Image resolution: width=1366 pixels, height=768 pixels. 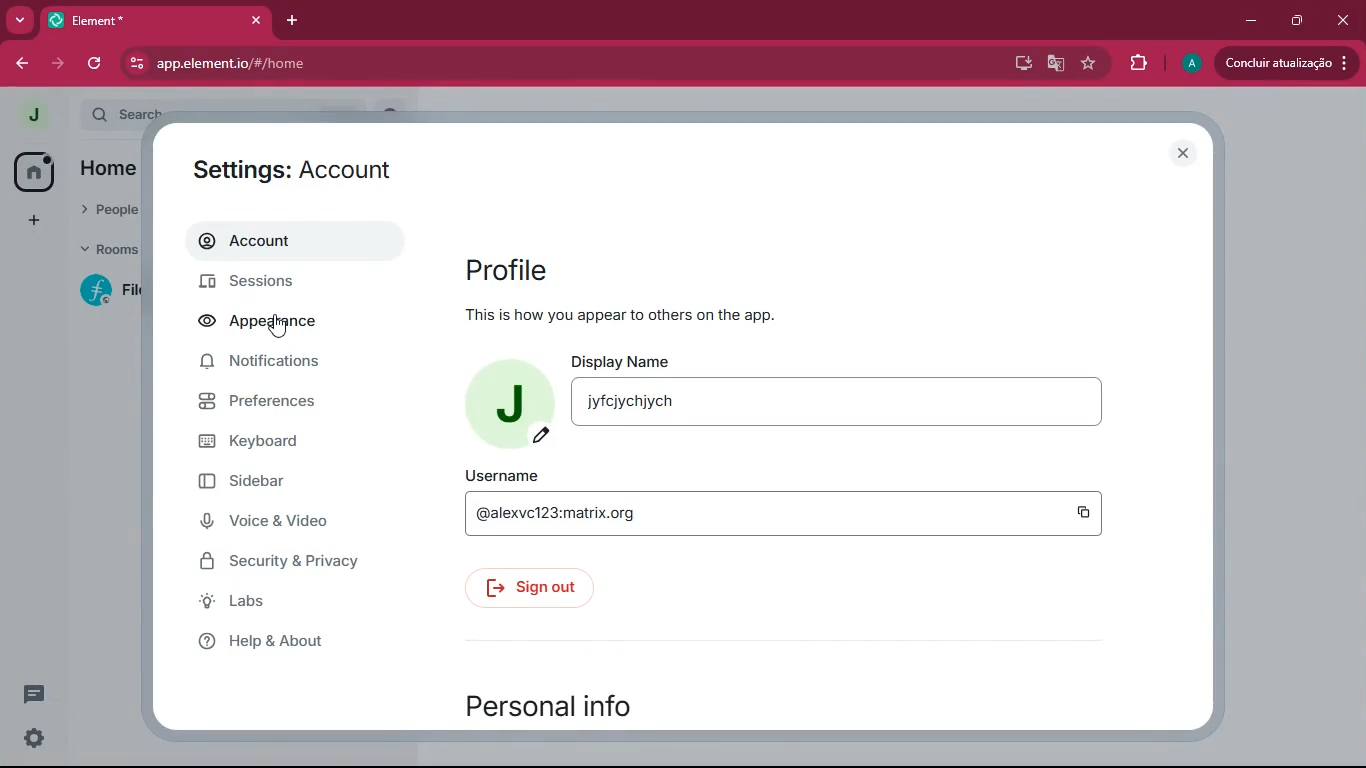 What do you see at coordinates (1135, 64) in the screenshot?
I see `extensions` at bounding box center [1135, 64].